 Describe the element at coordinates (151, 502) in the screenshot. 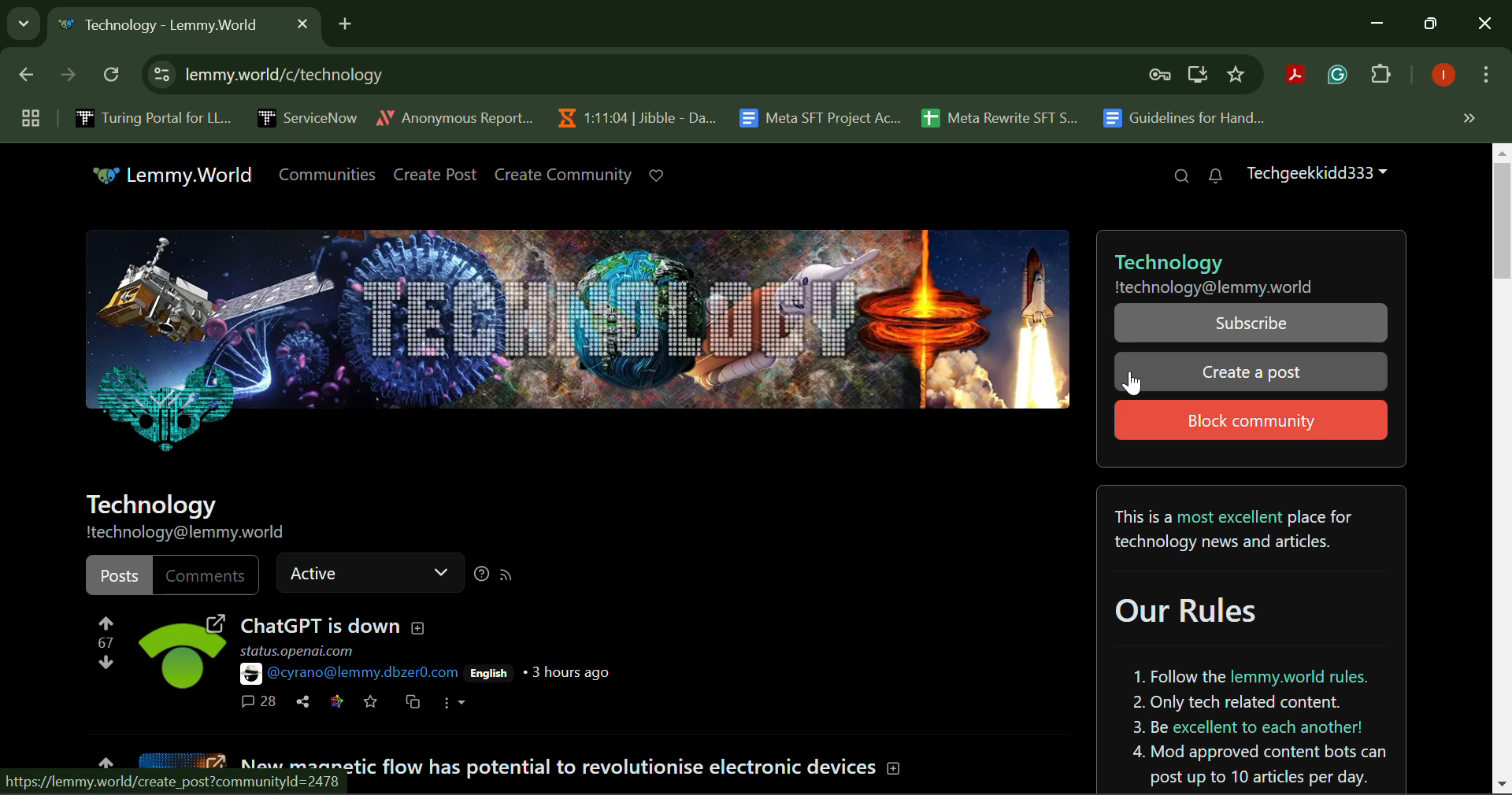

I see `Community Name` at that location.